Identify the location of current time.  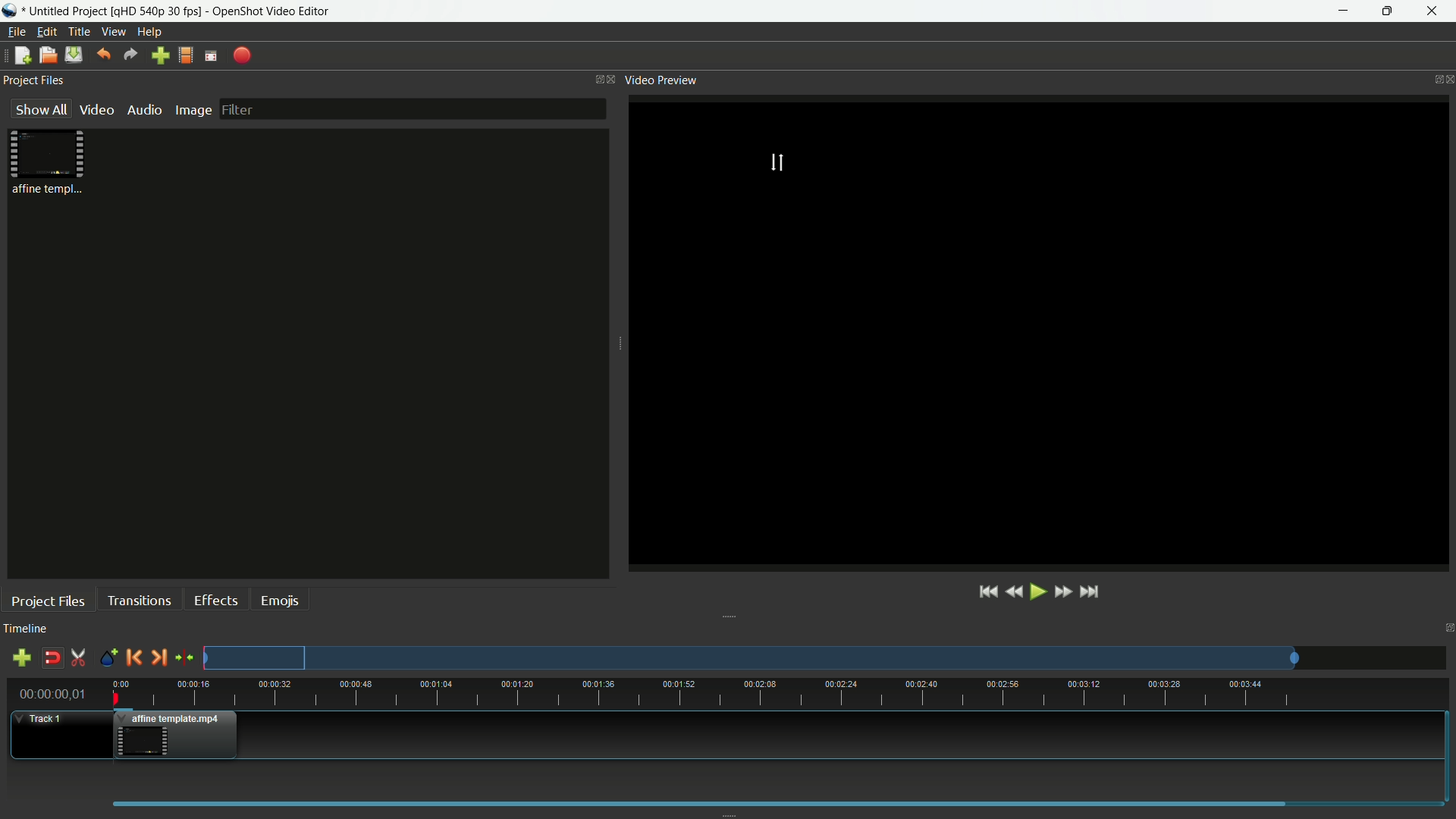
(51, 694).